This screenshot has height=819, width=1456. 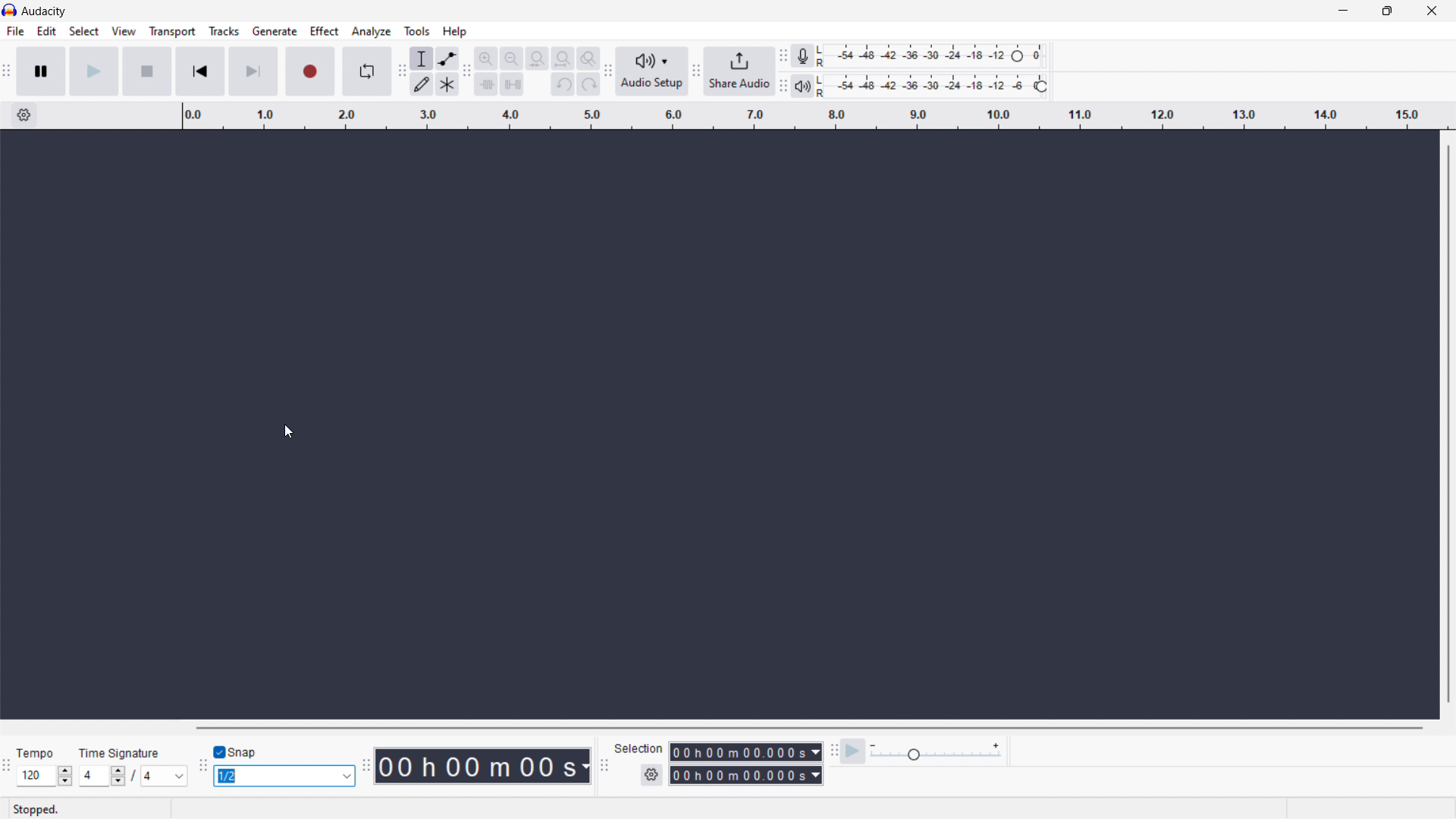 I want to click on time toolbar, so click(x=364, y=766).